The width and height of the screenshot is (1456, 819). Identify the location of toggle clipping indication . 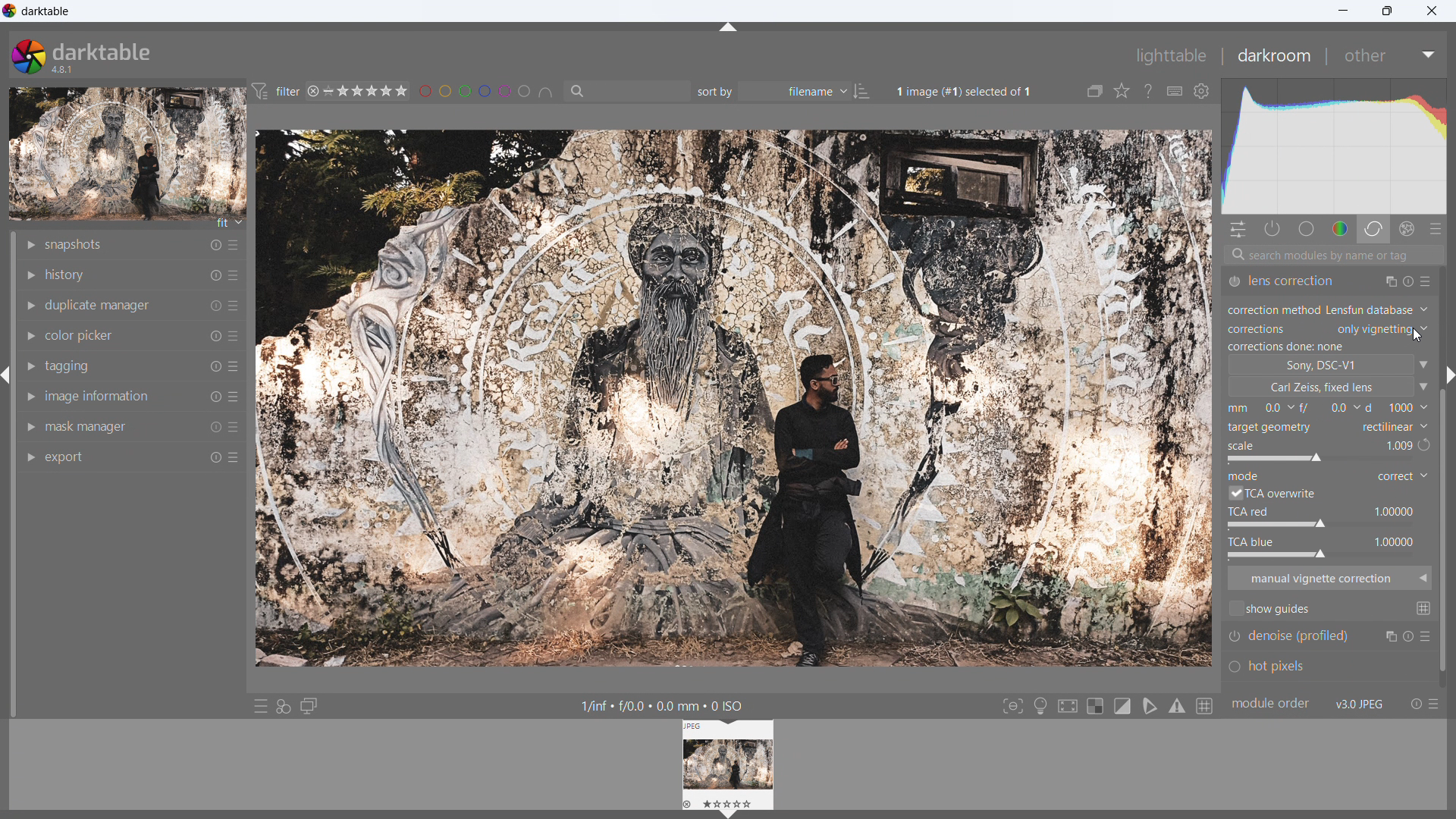
(1122, 706).